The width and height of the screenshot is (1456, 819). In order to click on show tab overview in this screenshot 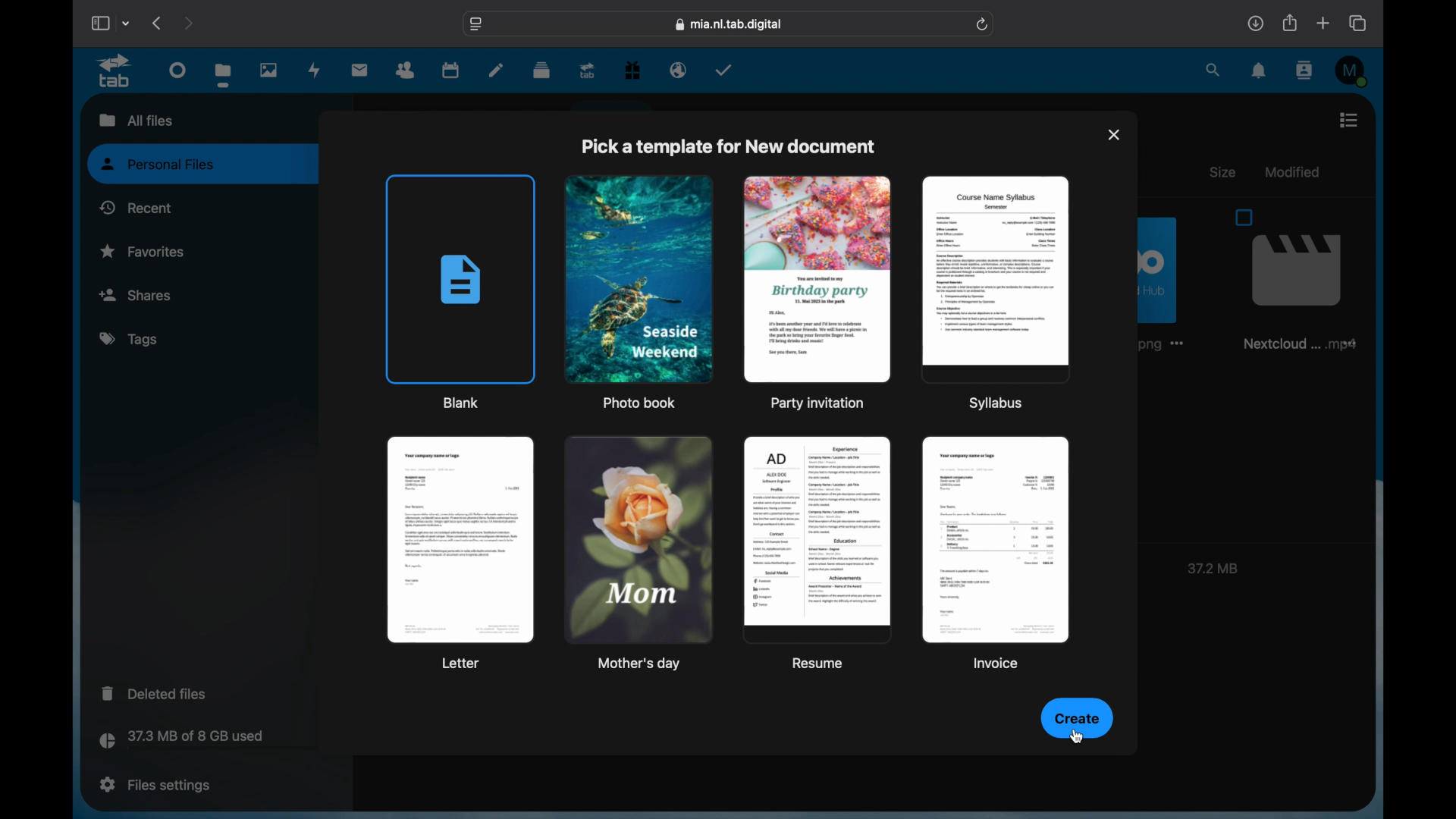, I will do `click(1359, 23)`.